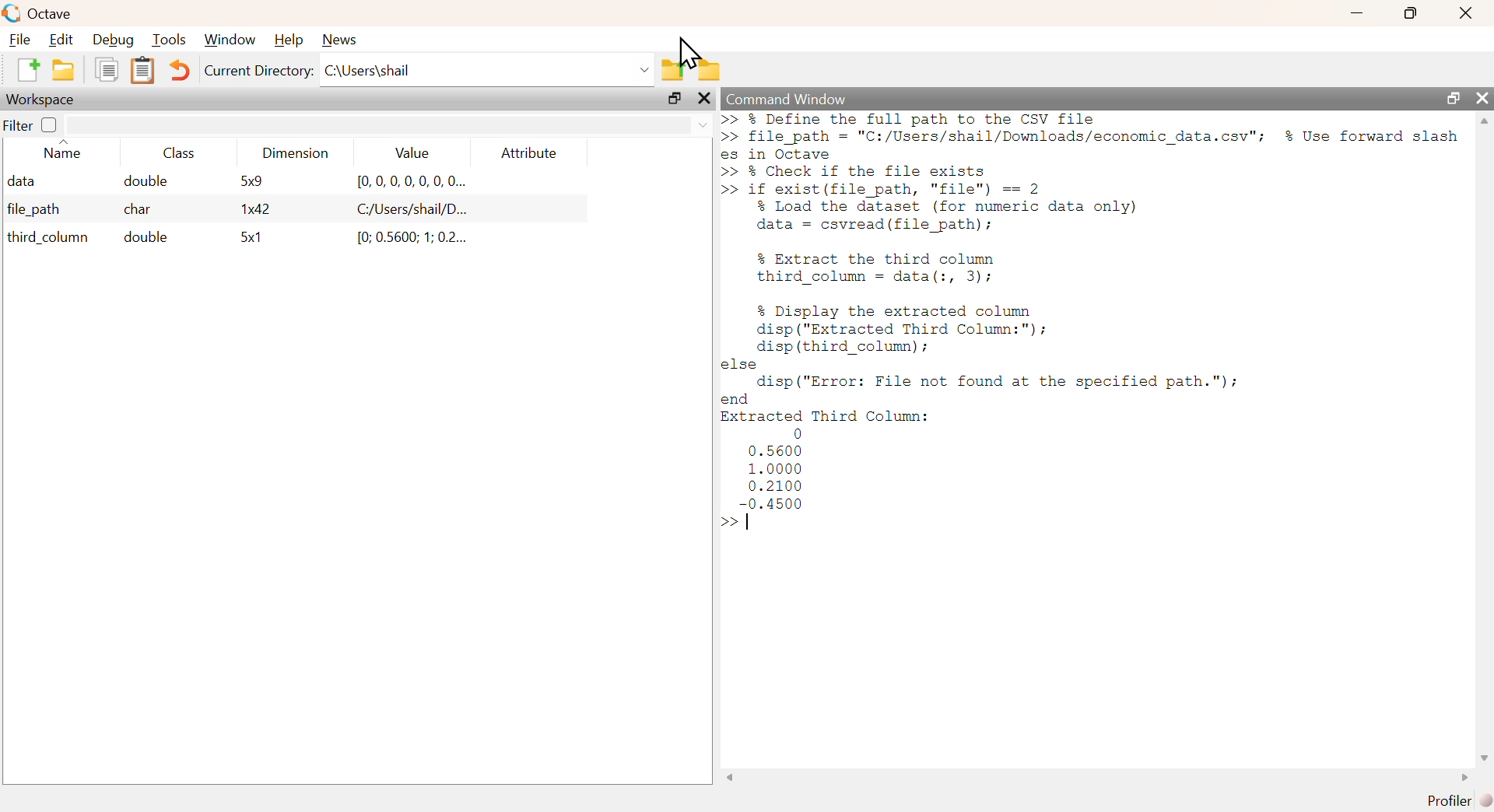 Image resolution: width=1494 pixels, height=812 pixels. Describe the element at coordinates (1092, 310) in the screenshot. I see `% Define the full path to the C5V file
file path = "C:/Users/shail/Downloads/economic_data.csv"; % Use forward sla
in Octave
% Check if the file exists
if exist (file path, "file") == 2
% Load the dataset (for numeric data only)
data = csvread(file_path);
% Extract the third column
third column = data(:, 3);
% Display the extracted column
disp ("Extracted Third Column:");
disp (third column);
se
disp ("Error: File not found at the specified path.");
22
tracted Third Column:
0
0.5600
1.0000
0.2100
-0.4500` at that location.